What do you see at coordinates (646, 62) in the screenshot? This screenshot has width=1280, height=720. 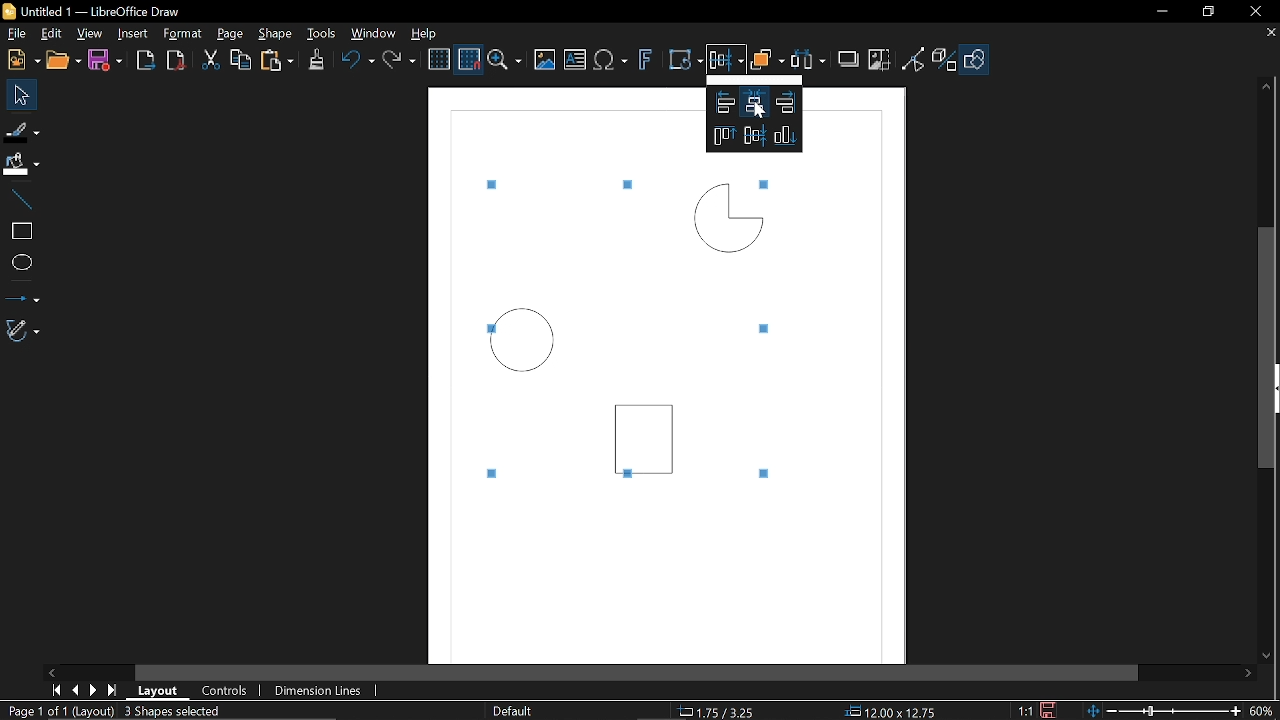 I see `Insert Fontwork` at bounding box center [646, 62].